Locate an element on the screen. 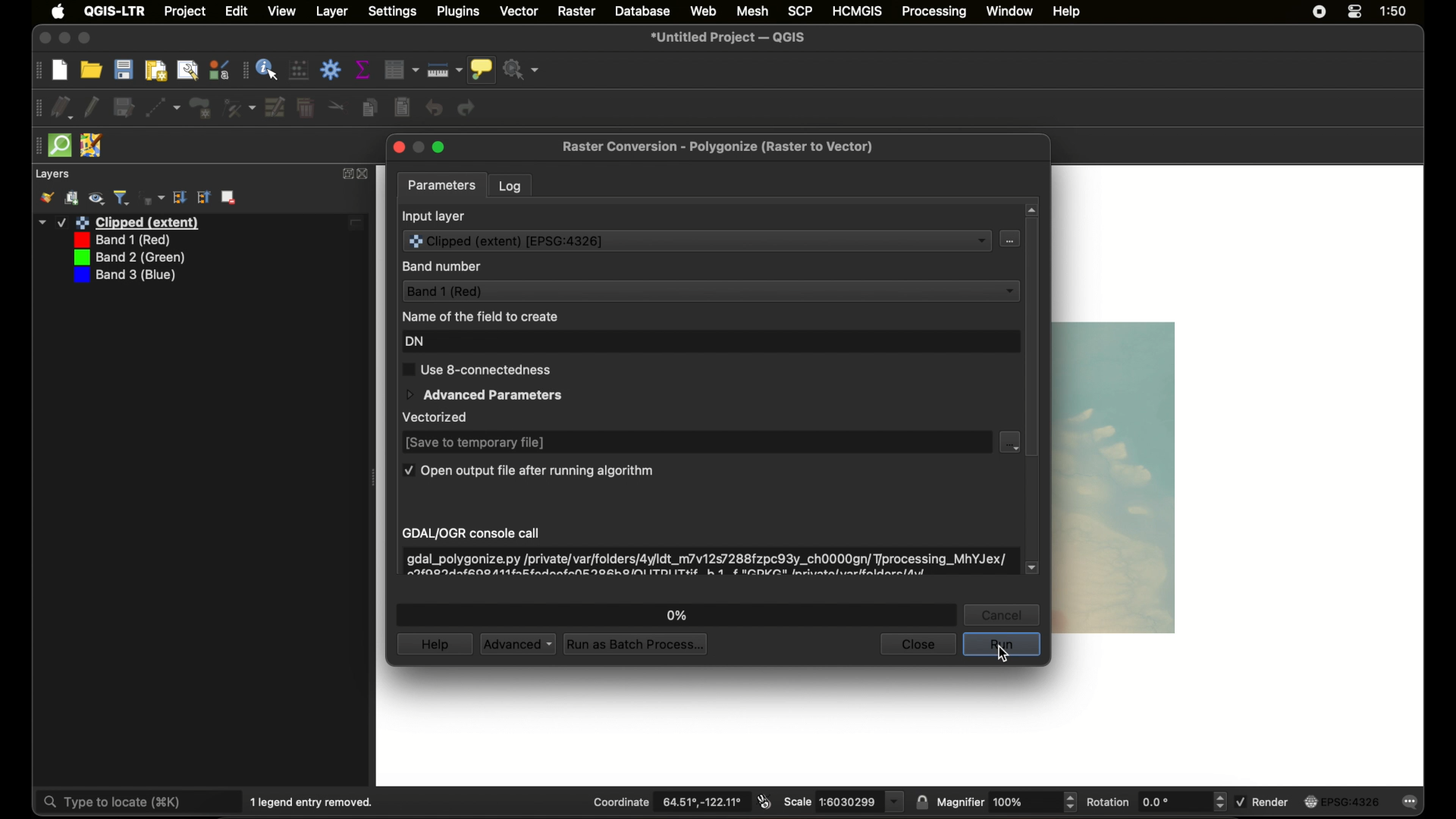 The height and width of the screenshot is (819, 1456). edit is located at coordinates (237, 11).